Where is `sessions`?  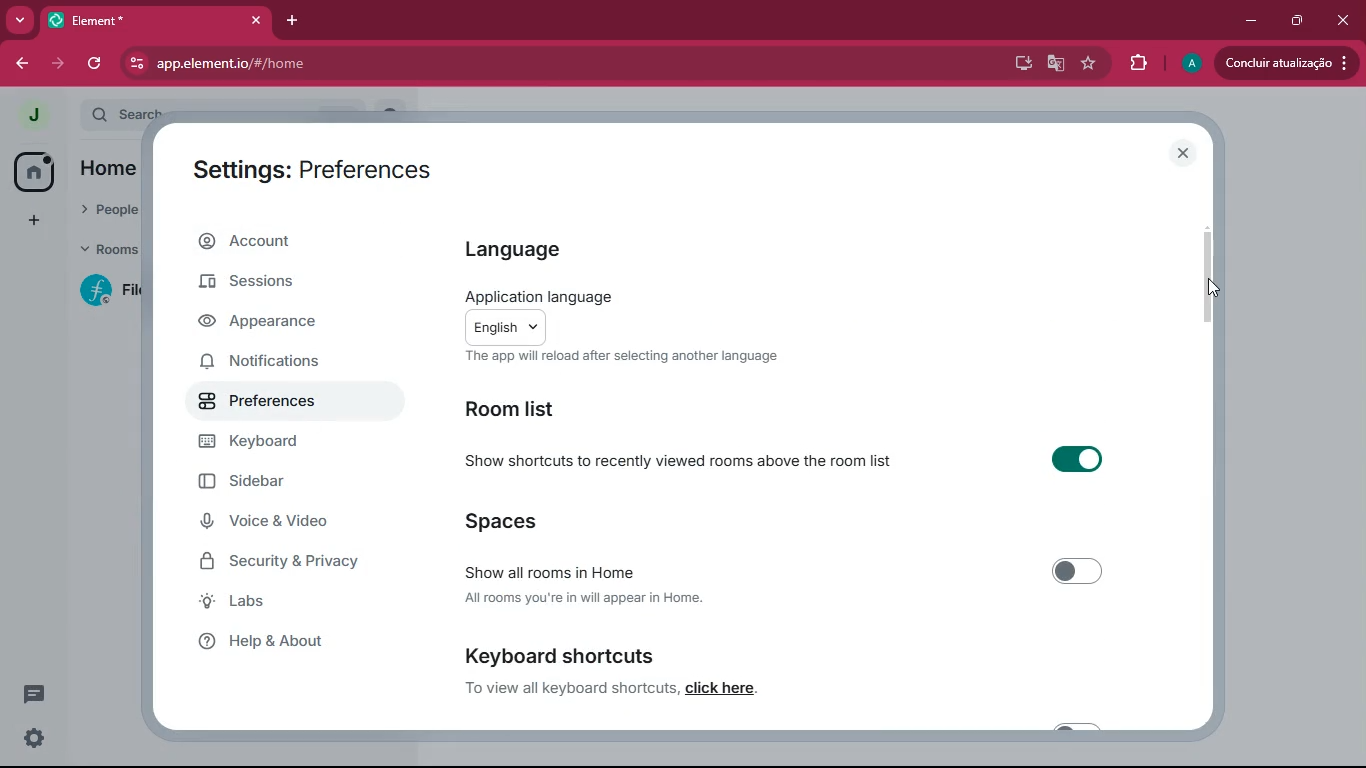
sessions is located at coordinates (283, 285).